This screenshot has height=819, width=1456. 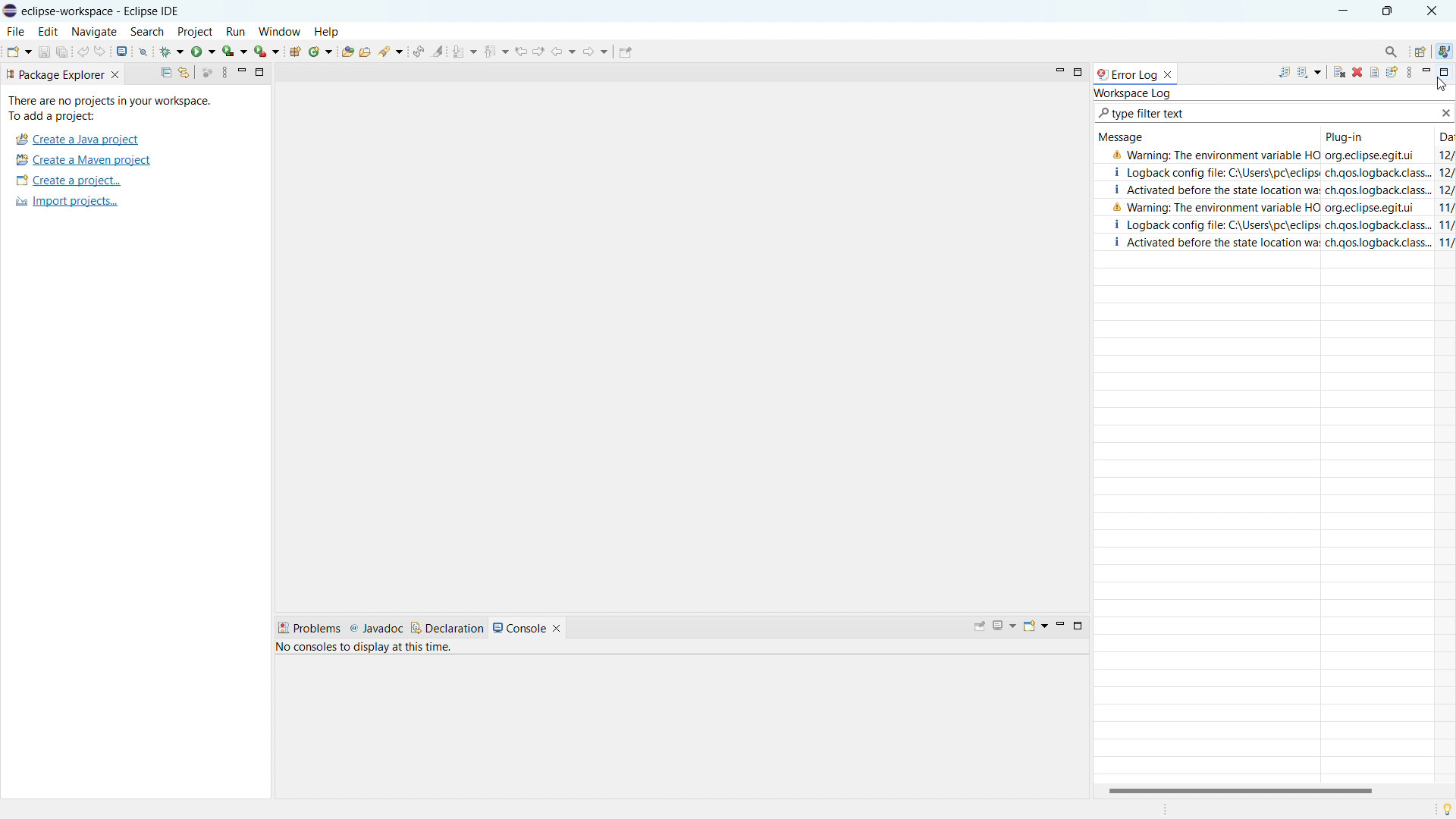 What do you see at coordinates (420, 51) in the screenshot?
I see `toggle ant editor auto reconcile` at bounding box center [420, 51].